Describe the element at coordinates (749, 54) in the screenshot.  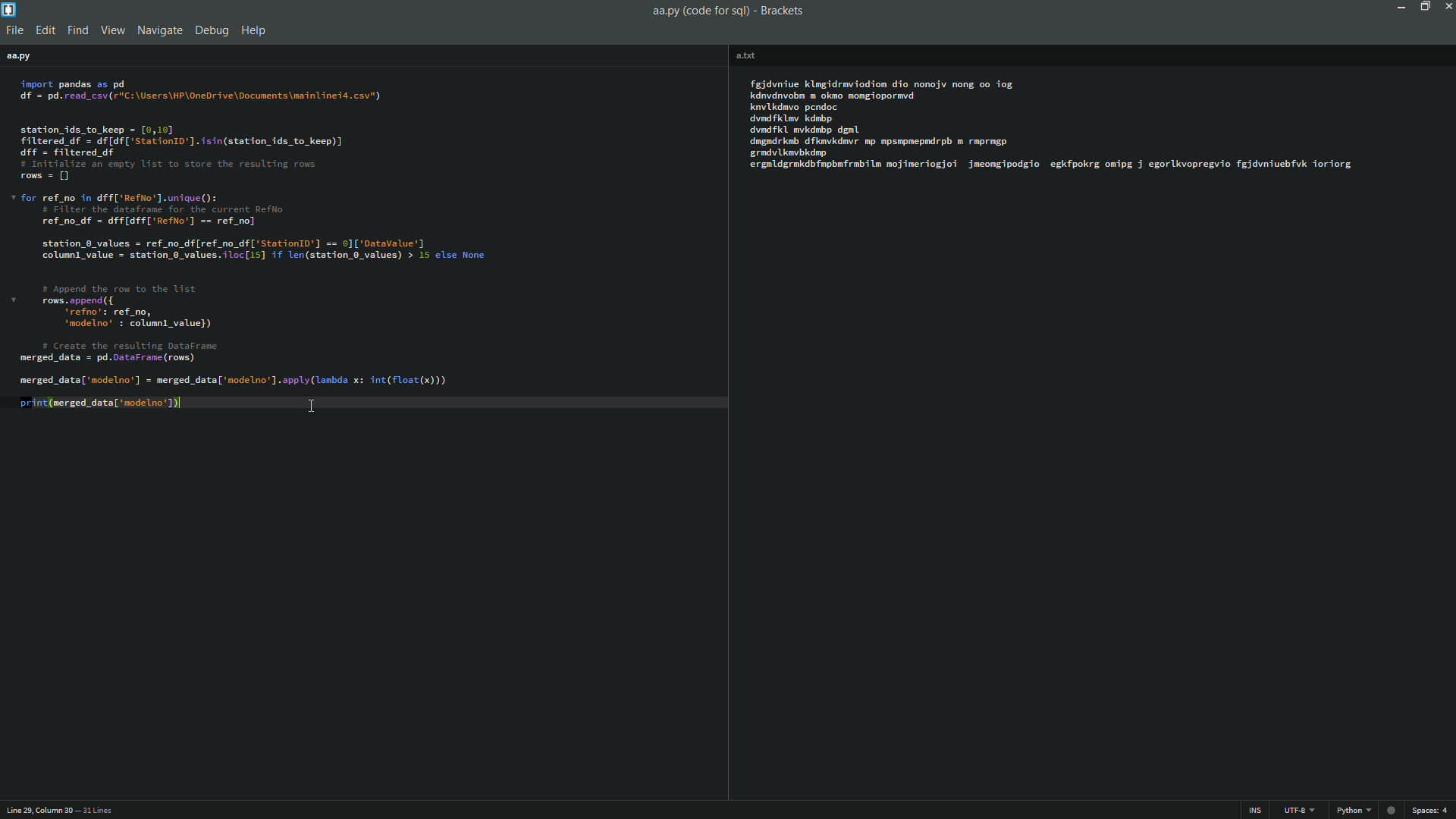
I see `file name` at that location.